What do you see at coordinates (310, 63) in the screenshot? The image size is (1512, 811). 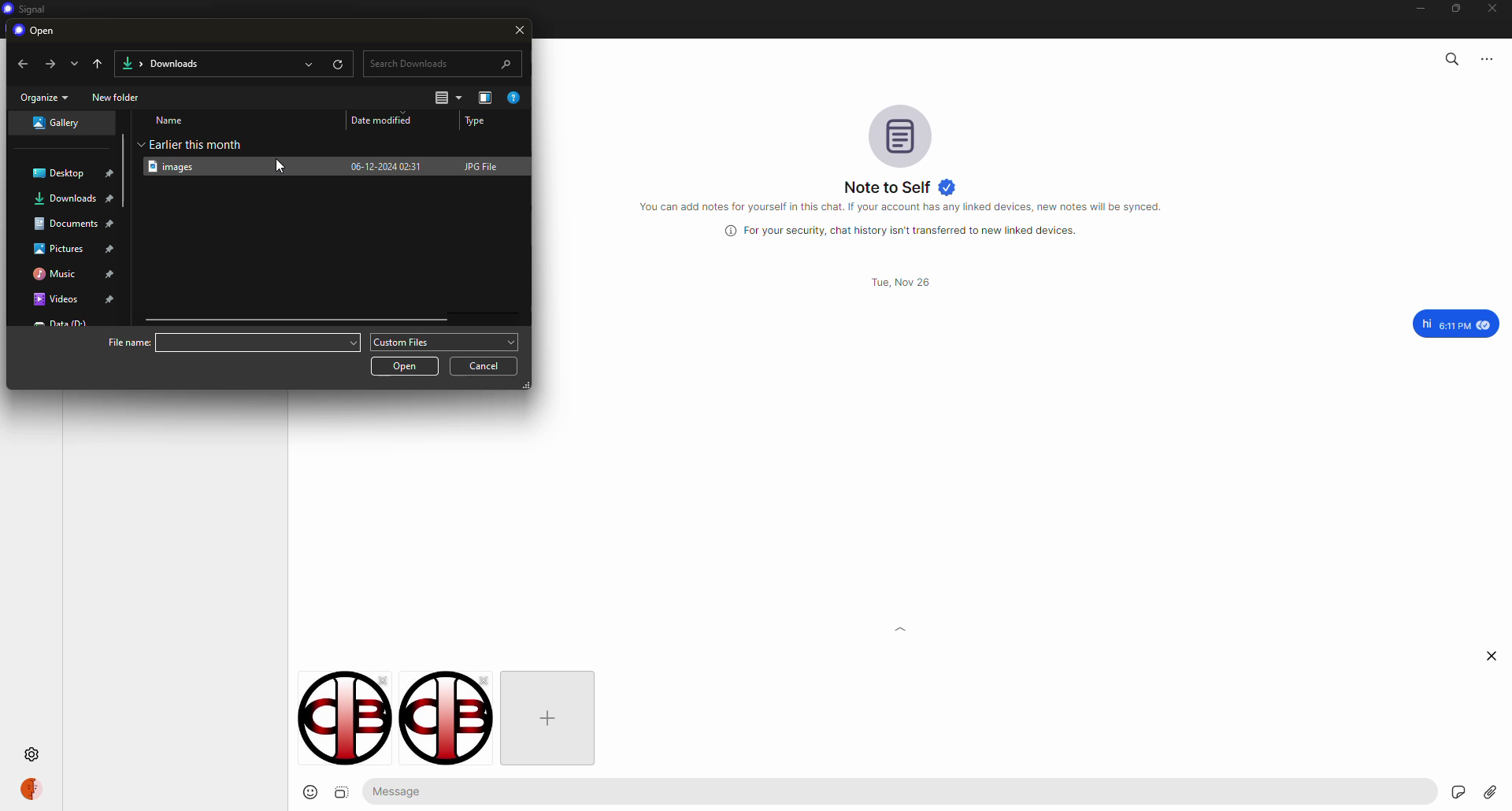 I see `open` at bounding box center [310, 63].